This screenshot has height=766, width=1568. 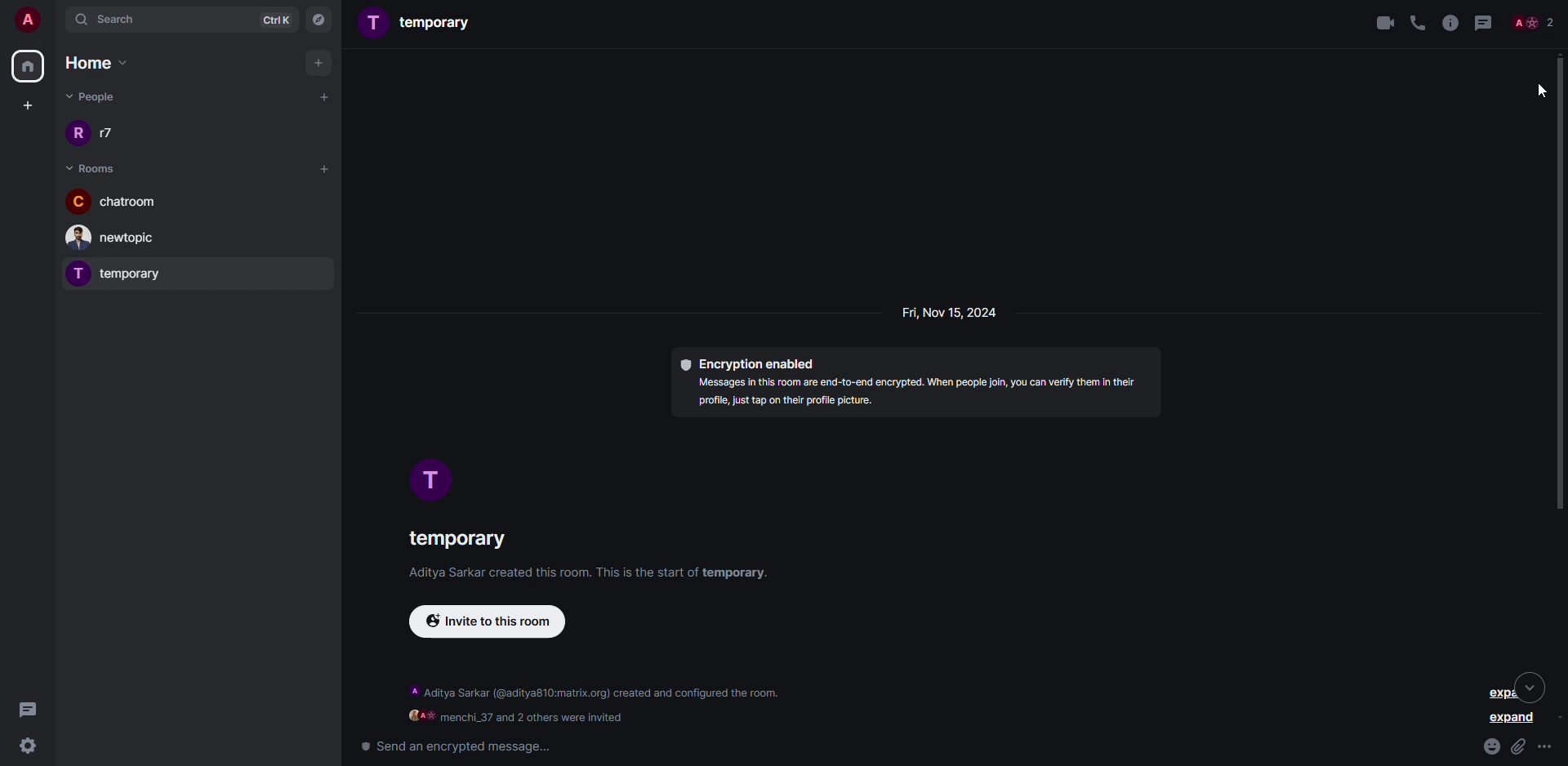 I want to click on home, so click(x=29, y=66).